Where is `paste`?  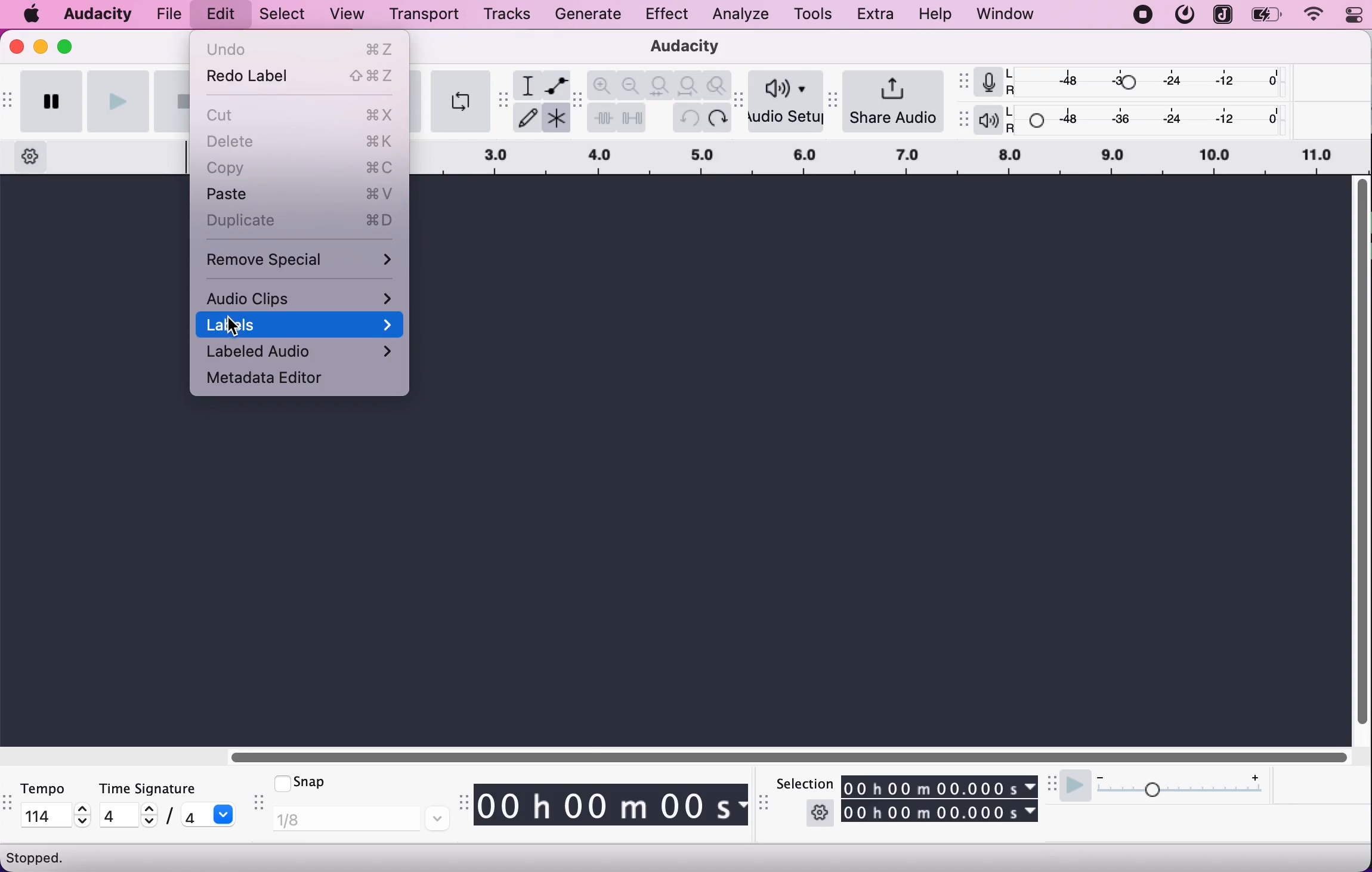 paste is located at coordinates (300, 194).